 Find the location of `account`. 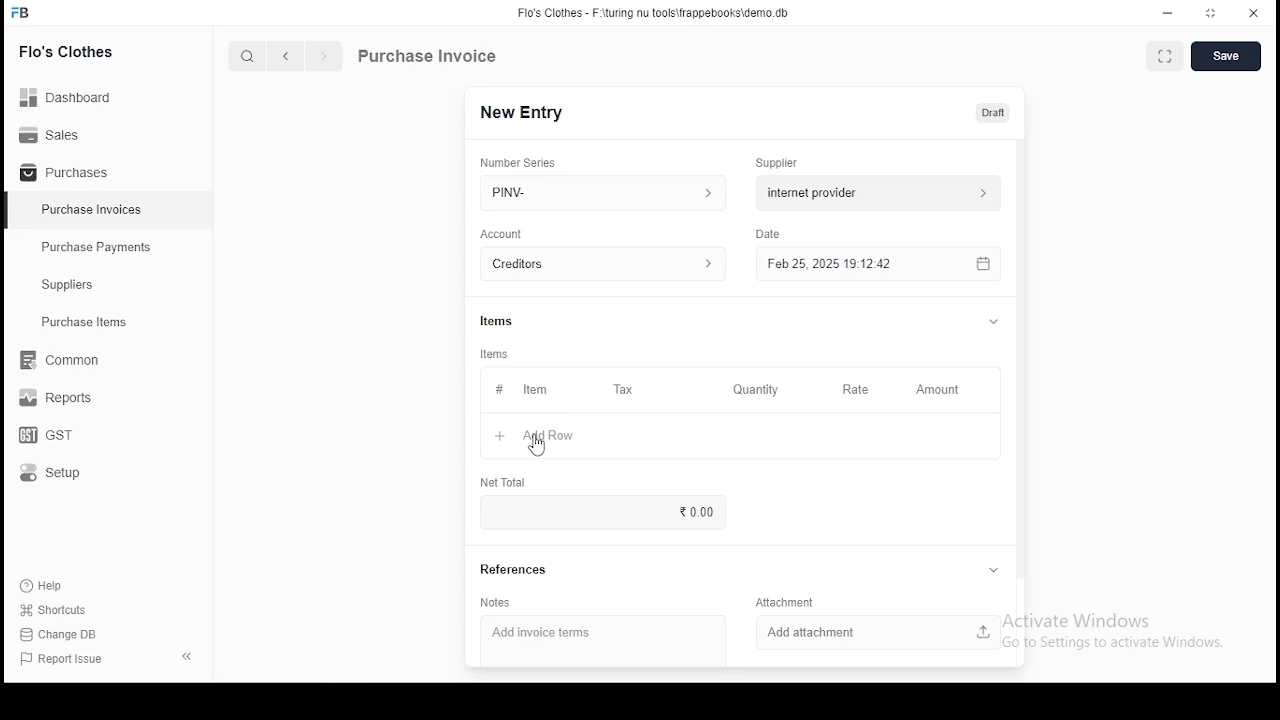

account is located at coordinates (502, 234).